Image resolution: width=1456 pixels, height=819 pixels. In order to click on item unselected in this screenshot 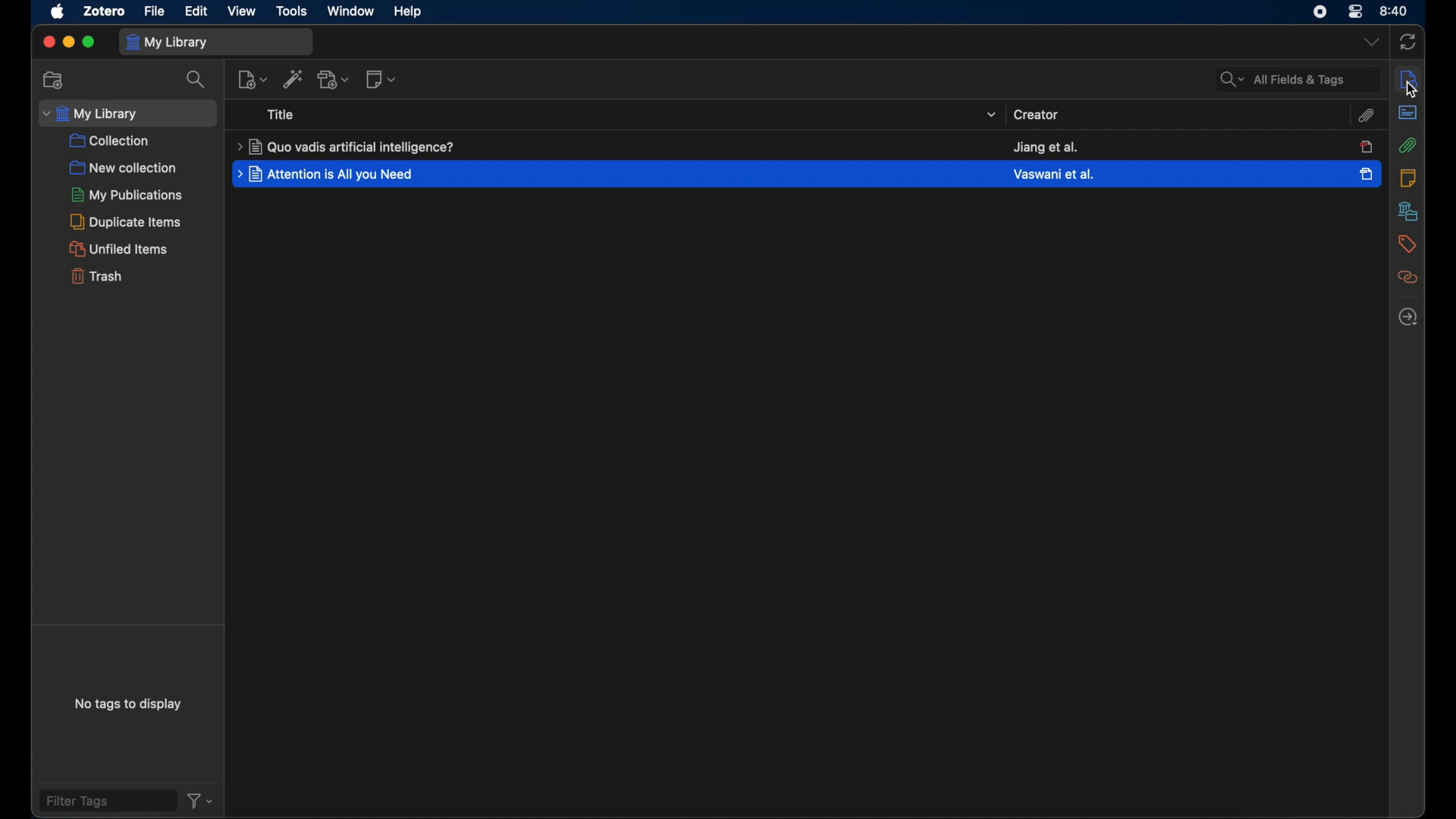, I will do `click(1365, 148)`.